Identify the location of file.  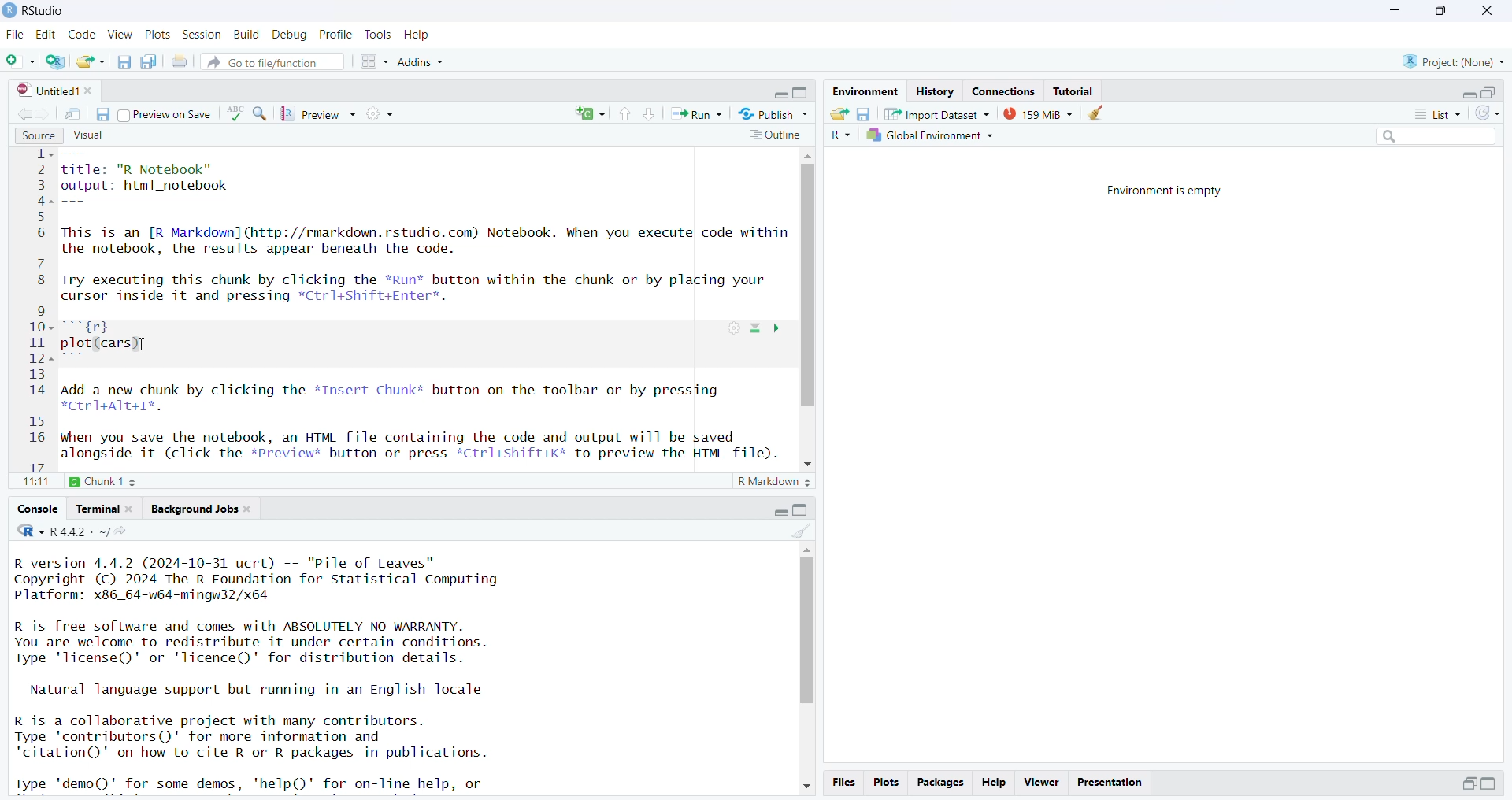
(17, 35).